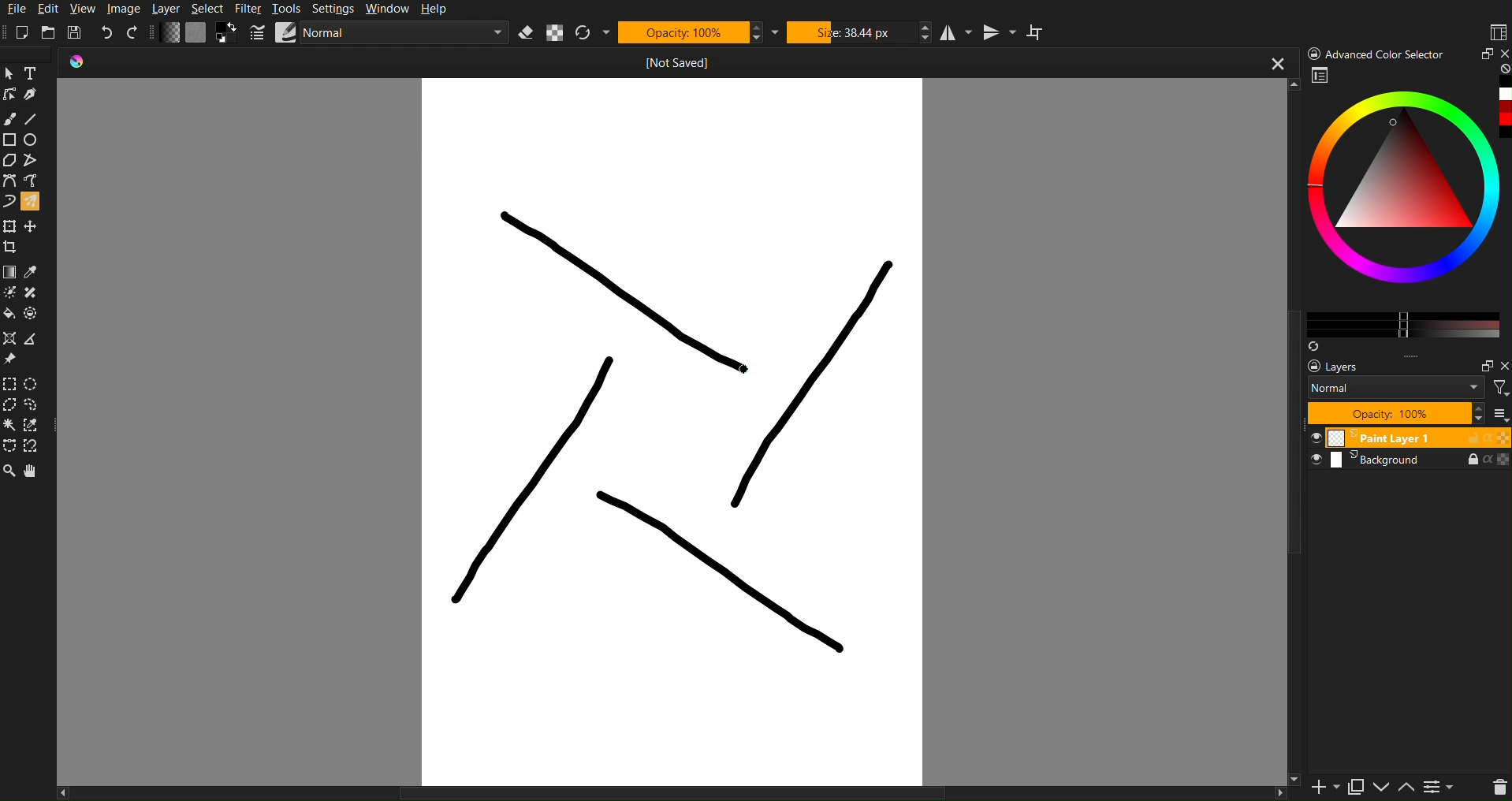 This screenshot has width=1512, height=801. What do you see at coordinates (9, 472) in the screenshot?
I see `Zoom` at bounding box center [9, 472].